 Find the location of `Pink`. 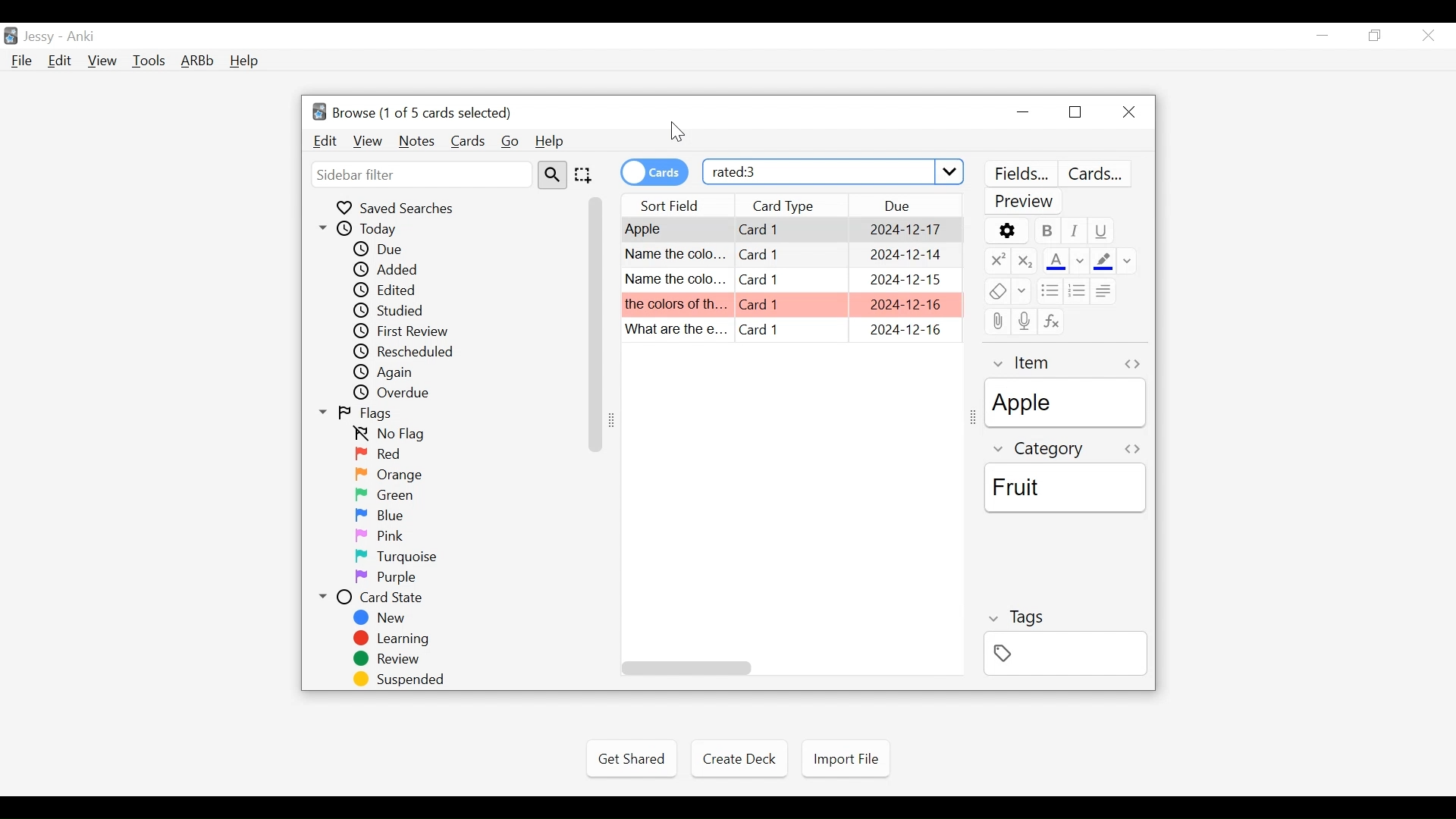

Pink is located at coordinates (384, 536).